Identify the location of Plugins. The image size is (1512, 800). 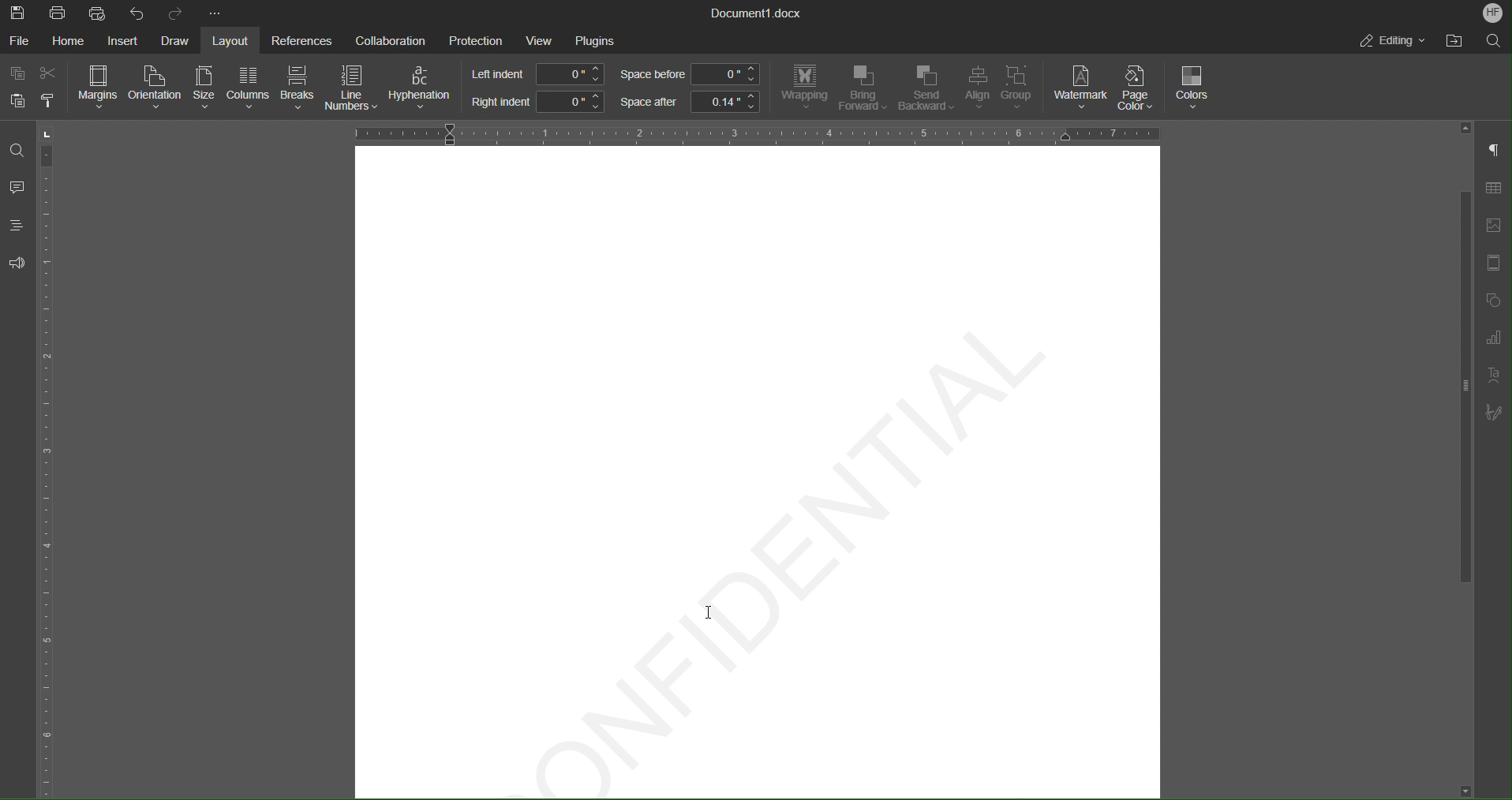
(595, 41).